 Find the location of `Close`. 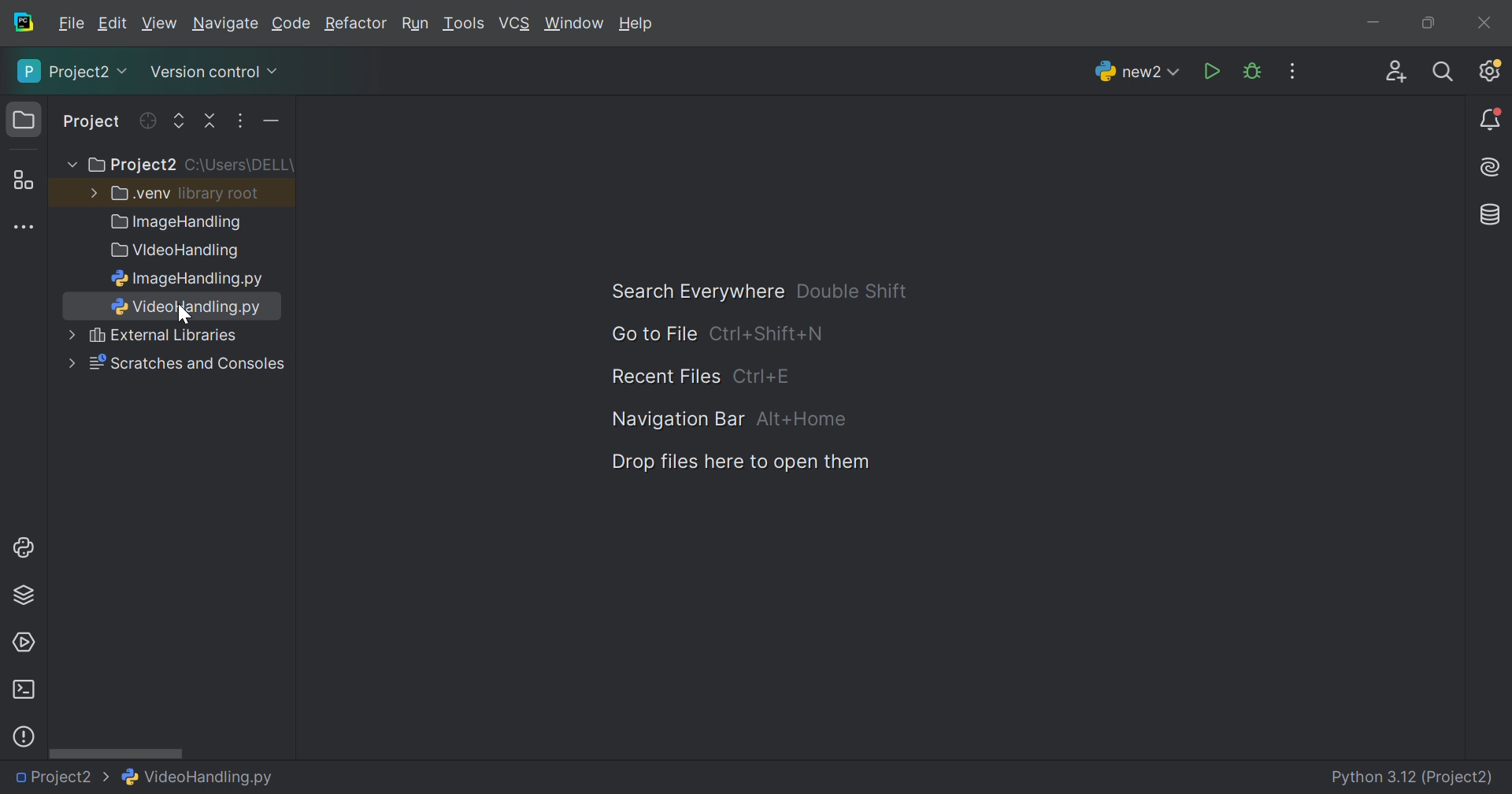

Close is located at coordinates (1484, 23).